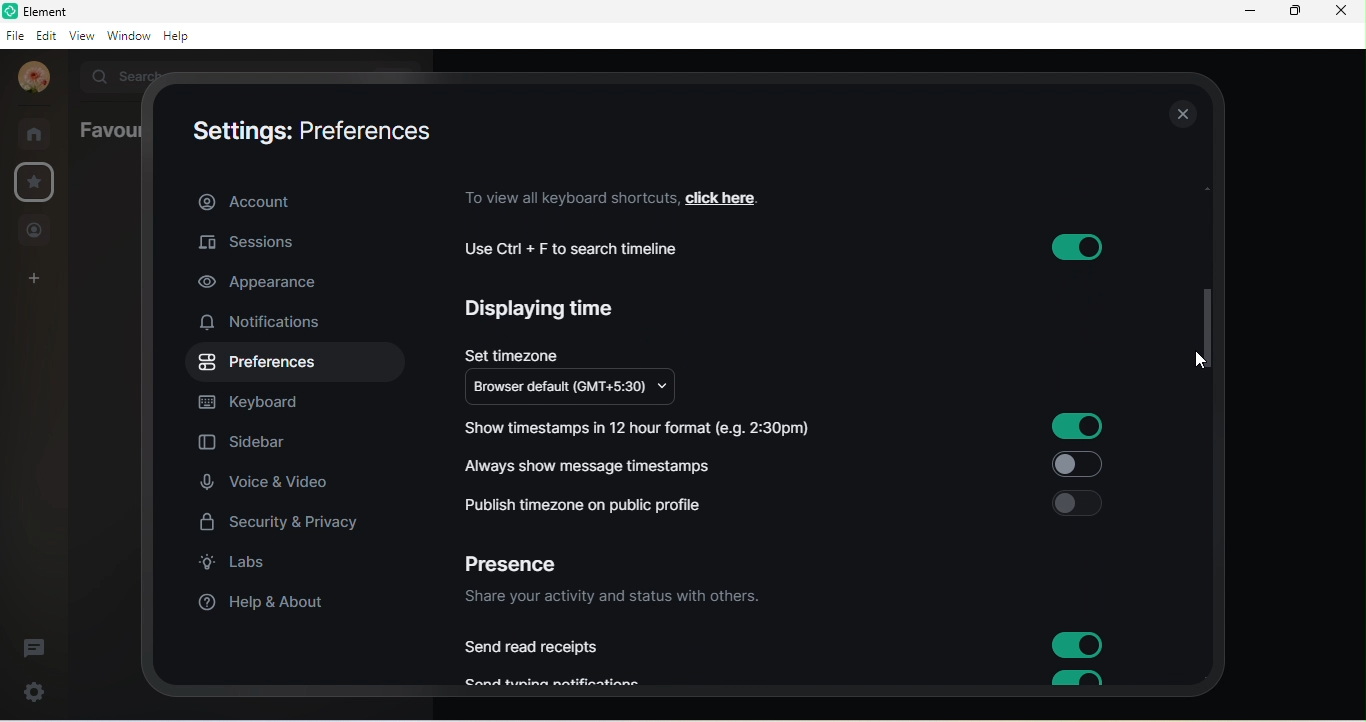 This screenshot has width=1366, height=722. Describe the element at coordinates (1203, 361) in the screenshot. I see `cursor movement` at that location.